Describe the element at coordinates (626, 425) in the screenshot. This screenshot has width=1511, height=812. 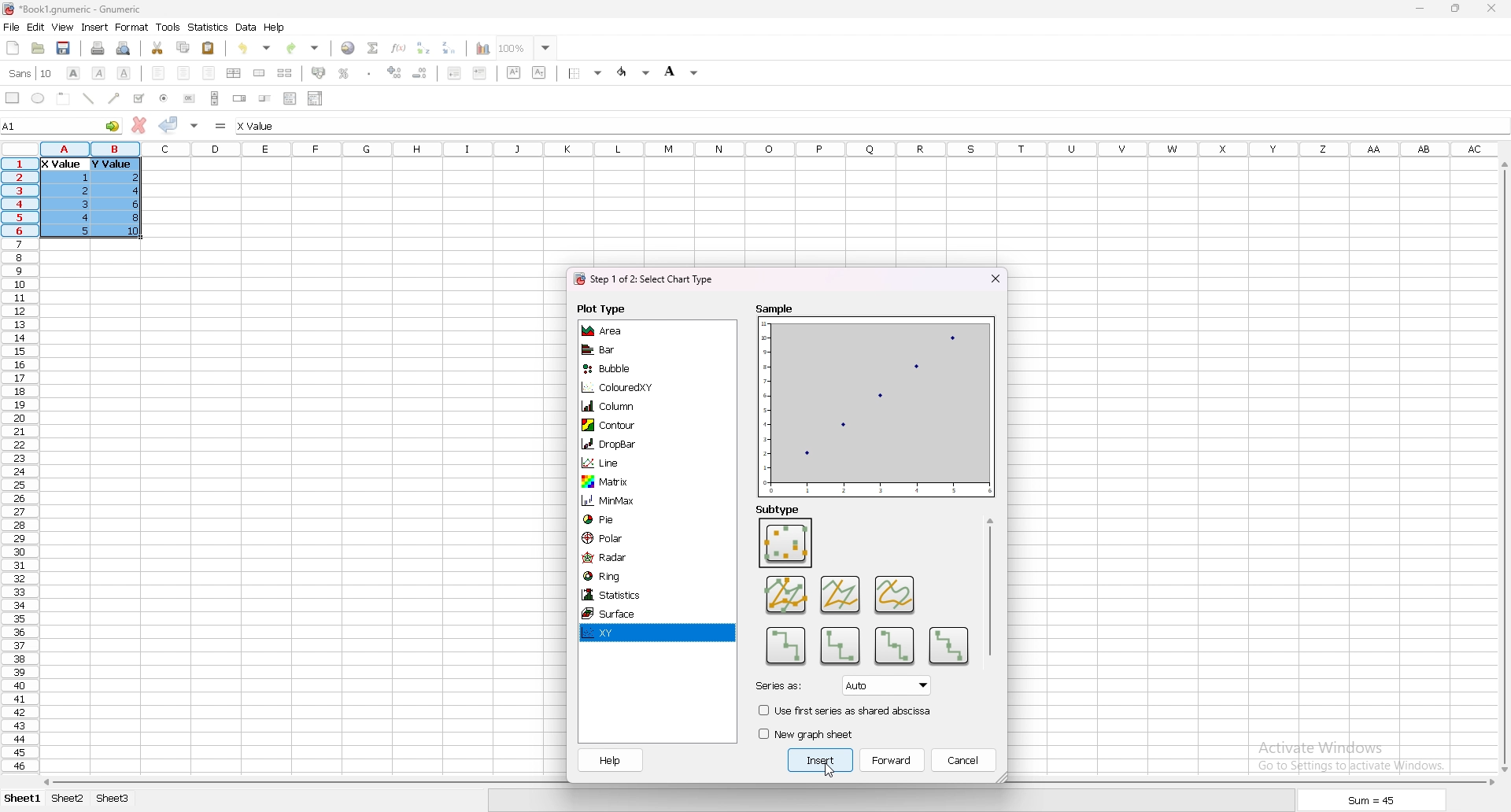
I see `contour` at that location.